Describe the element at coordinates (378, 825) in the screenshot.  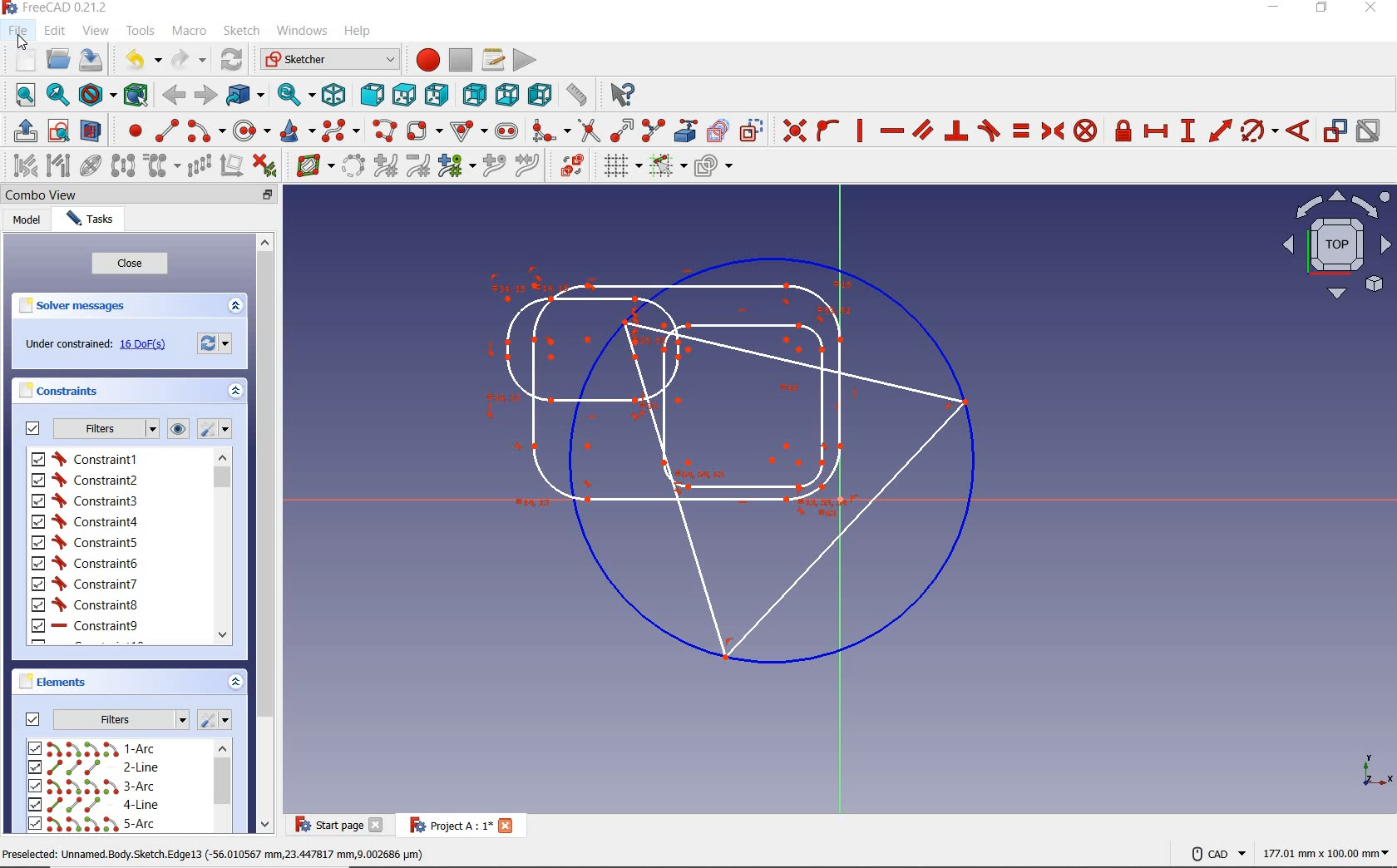
I see `close` at that location.